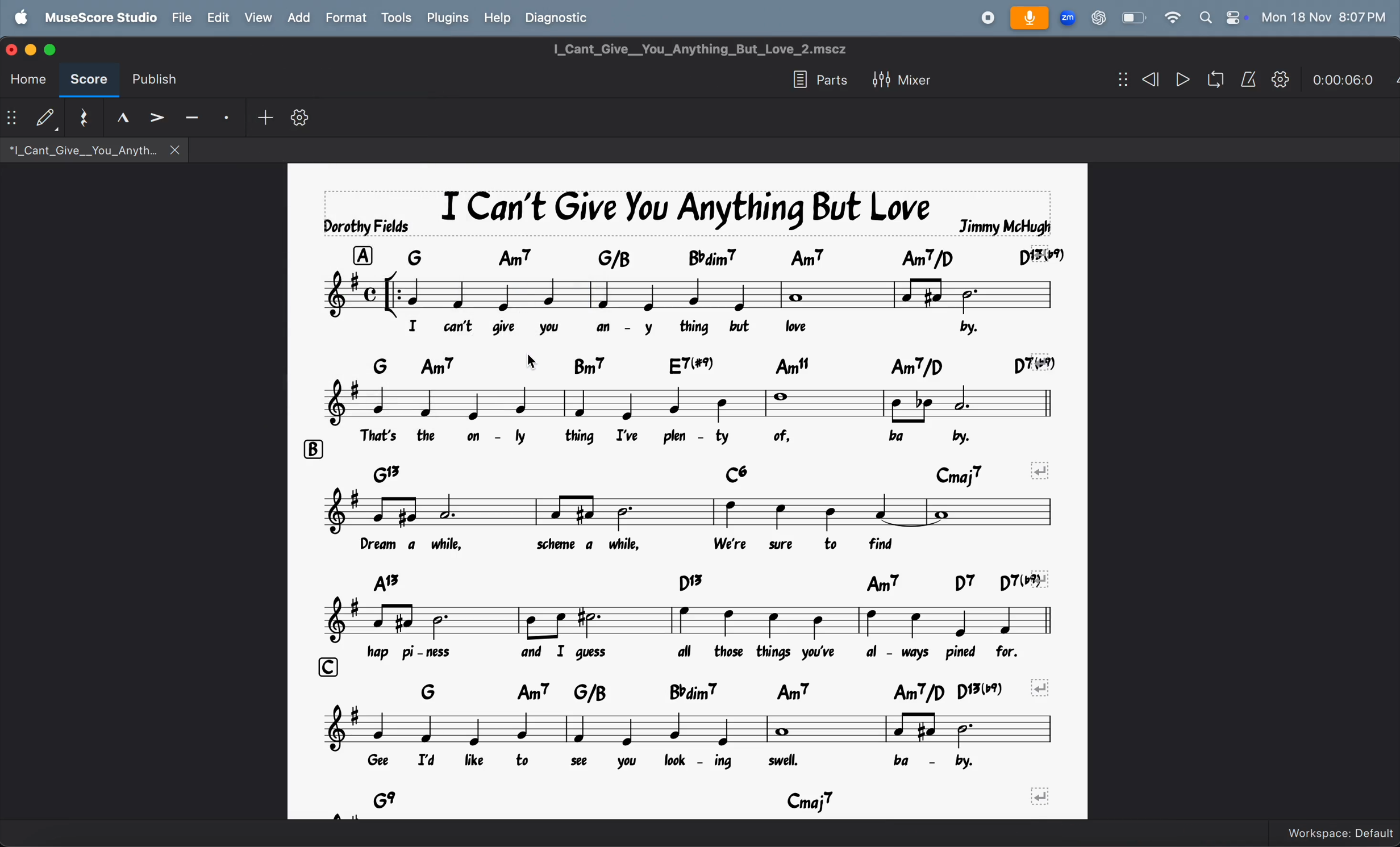 The width and height of the screenshot is (1400, 847). Describe the element at coordinates (153, 77) in the screenshot. I see `publish` at that location.